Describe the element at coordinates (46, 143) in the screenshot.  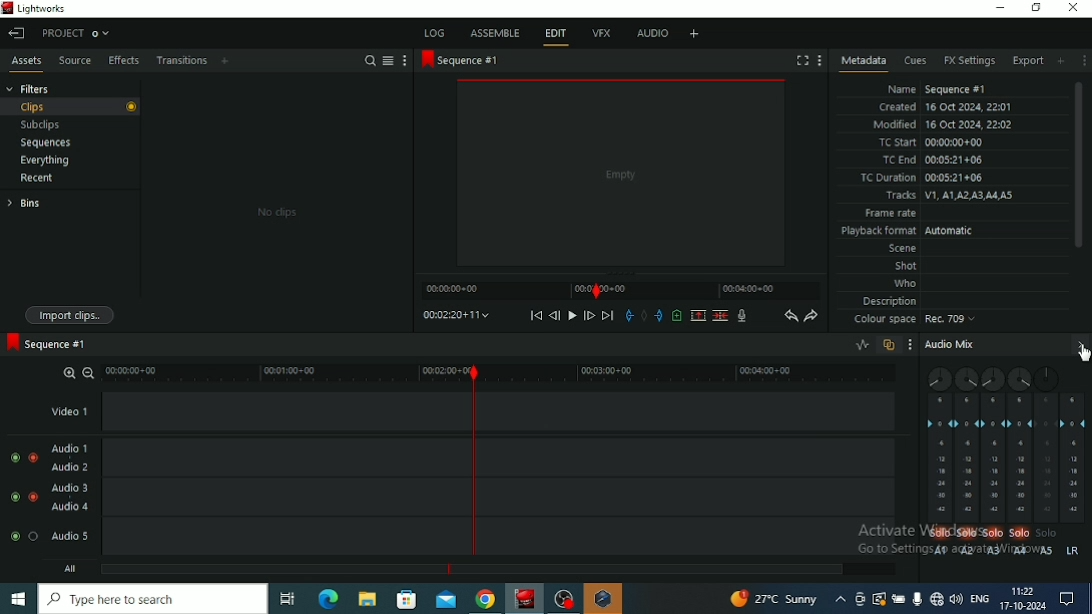
I see `Sequences` at that location.